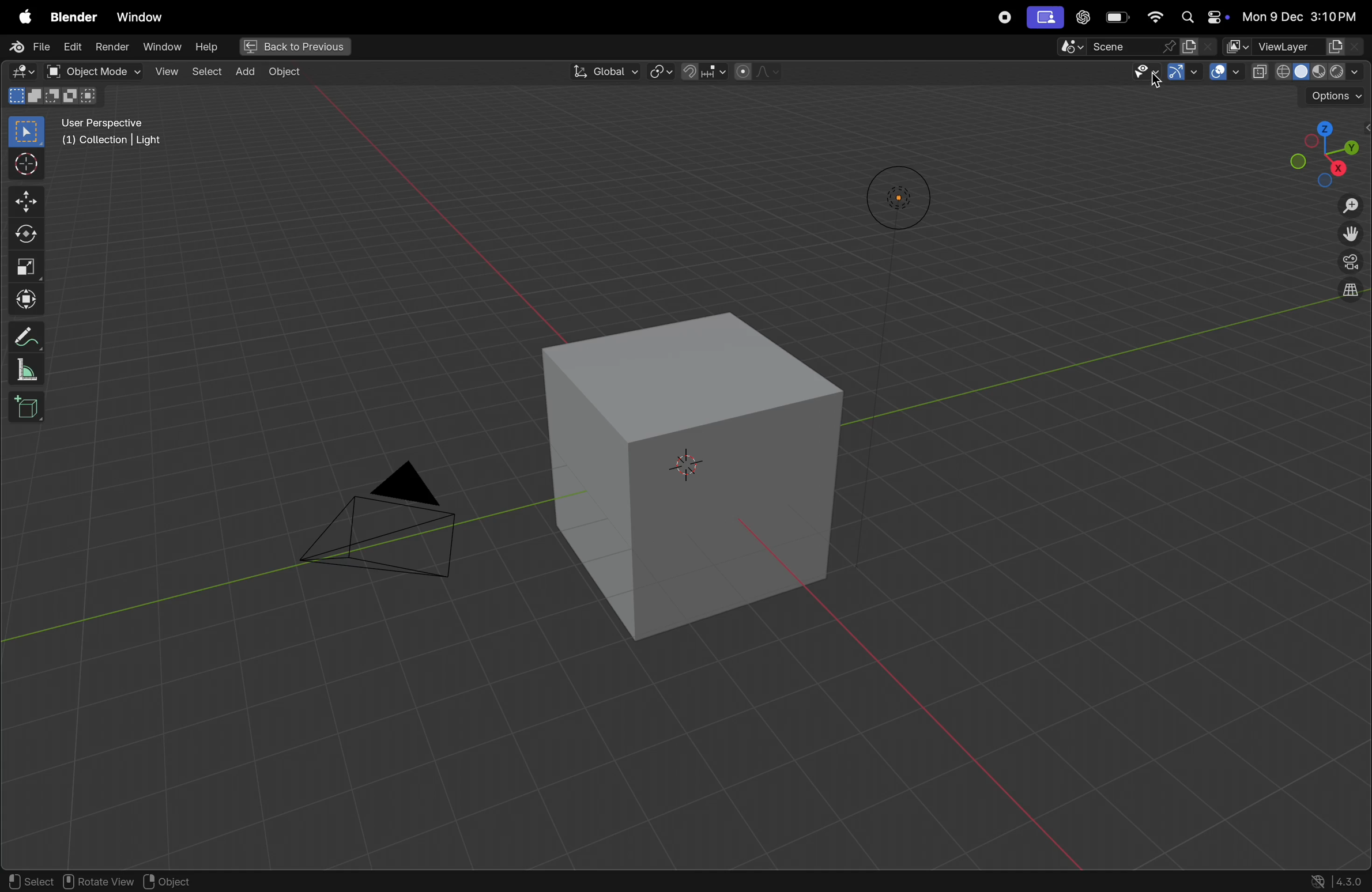 The image size is (1372, 892). Describe the element at coordinates (1081, 18) in the screenshot. I see `chatgpt` at that location.